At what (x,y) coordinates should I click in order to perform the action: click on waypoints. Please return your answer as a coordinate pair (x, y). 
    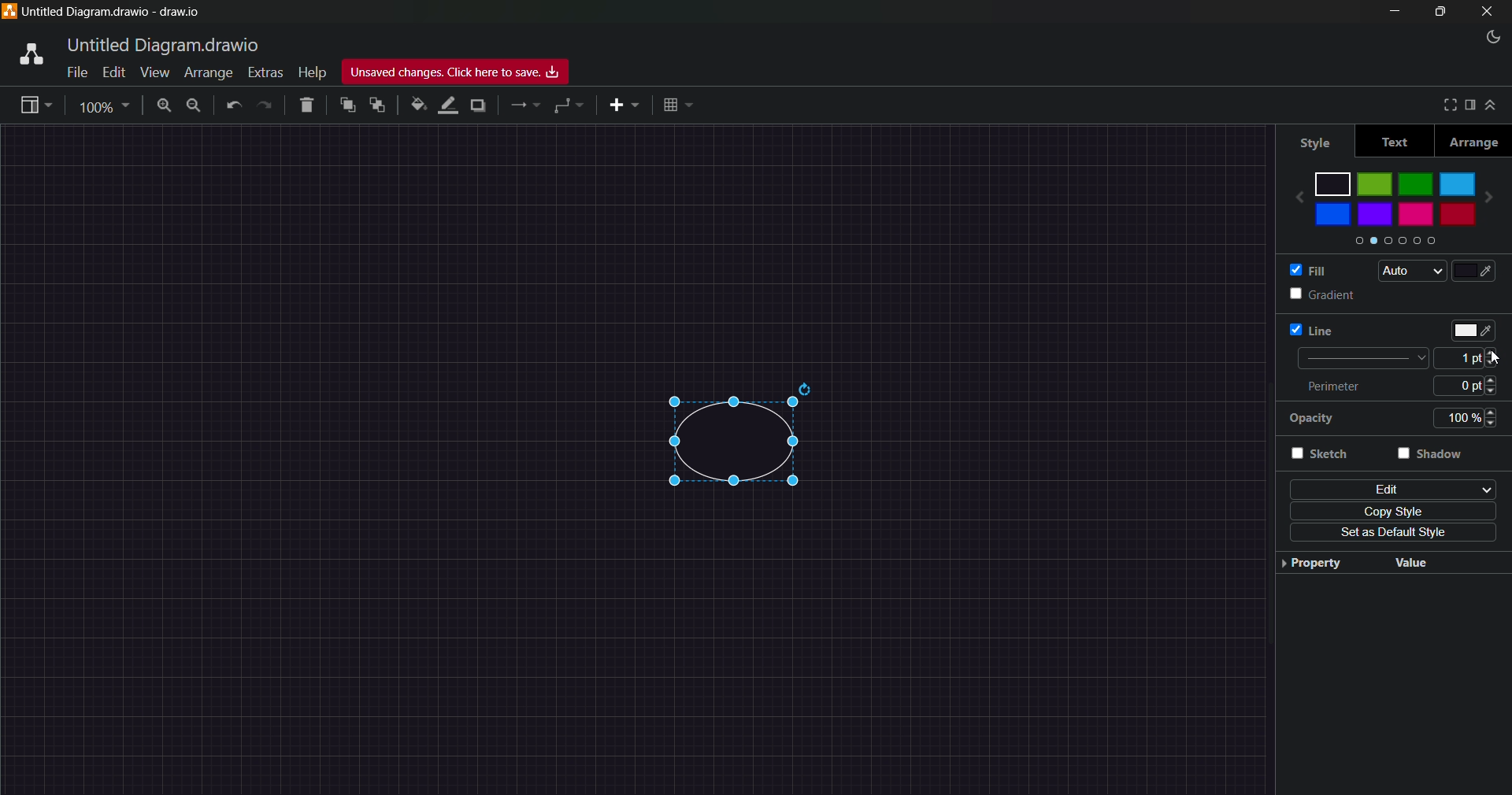
    Looking at the image, I should click on (566, 107).